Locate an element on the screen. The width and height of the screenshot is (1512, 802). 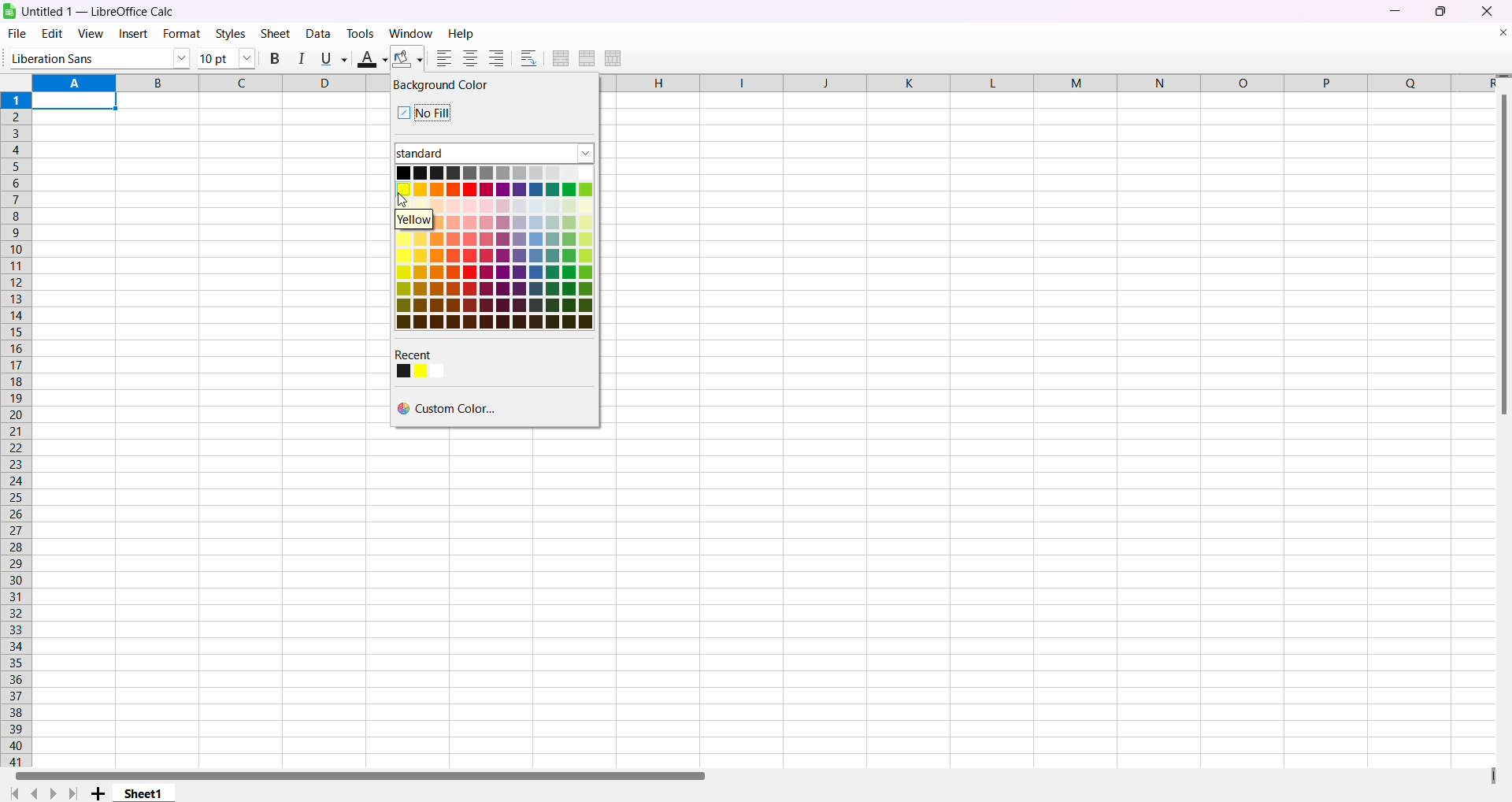
columns is located at coordinates (1048, 87).